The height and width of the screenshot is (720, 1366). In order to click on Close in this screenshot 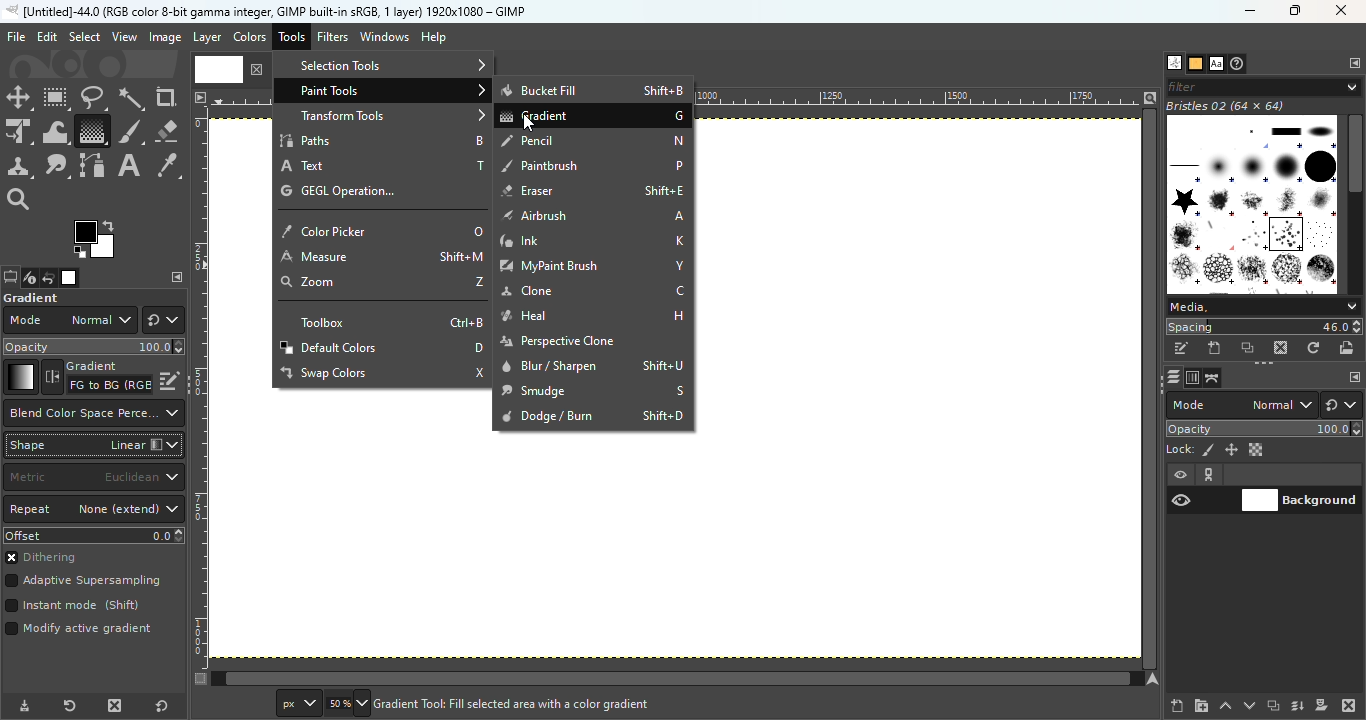, I will do `click(1343, 12)`.